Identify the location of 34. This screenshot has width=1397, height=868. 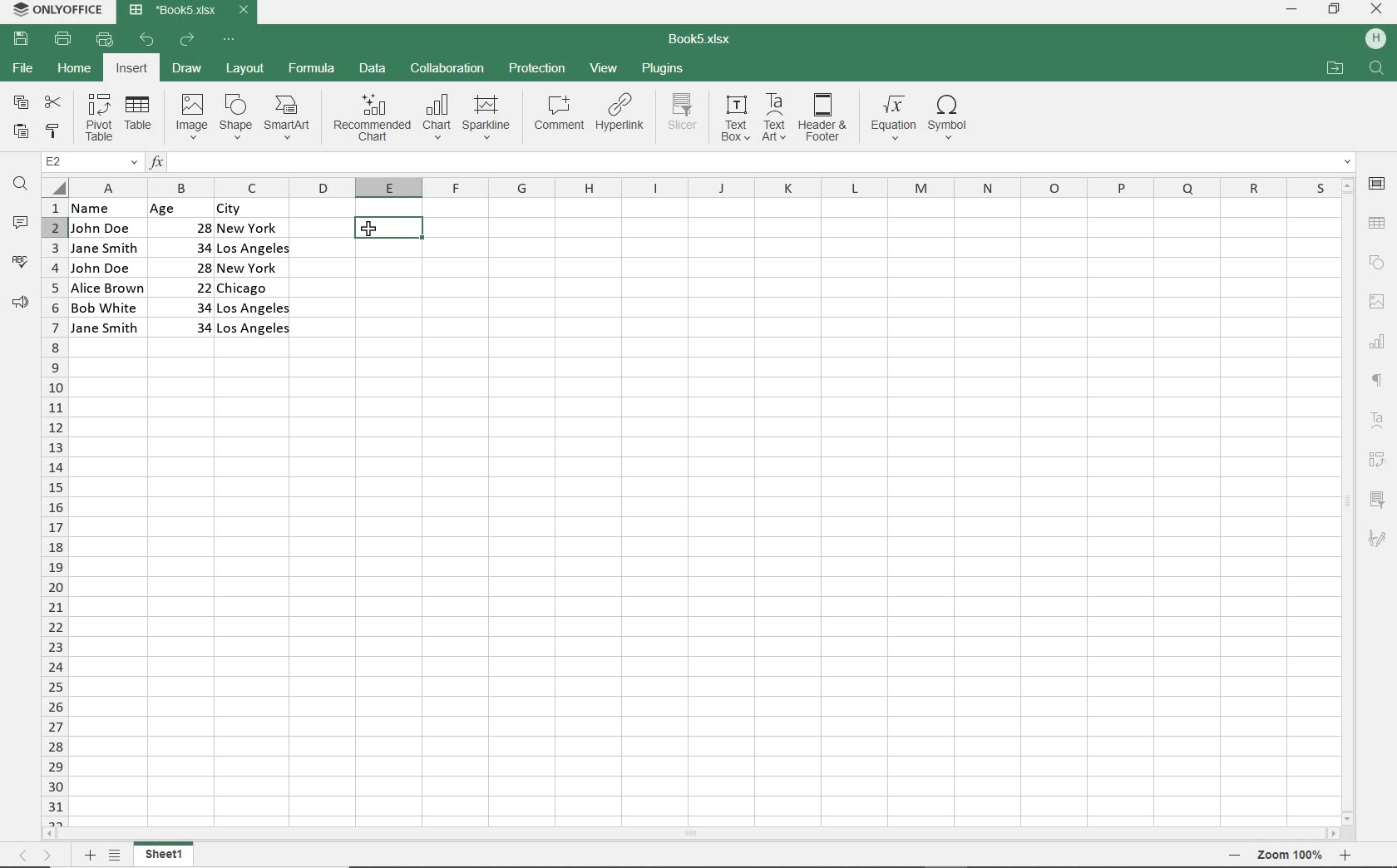
(187, 247).